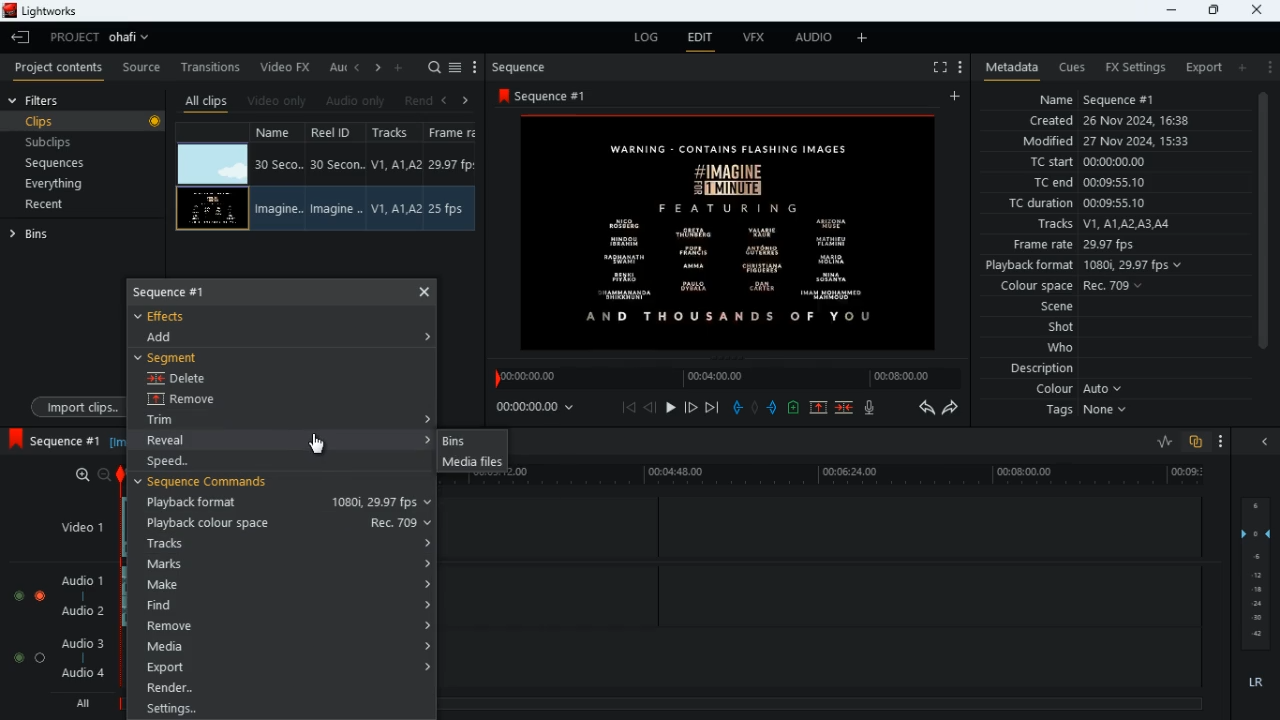 This screenshot has height=720, width=1280. What do you see at coordinates (74, 405) in the screenshot?
I see `import clips` at bounding box center [74, 405].